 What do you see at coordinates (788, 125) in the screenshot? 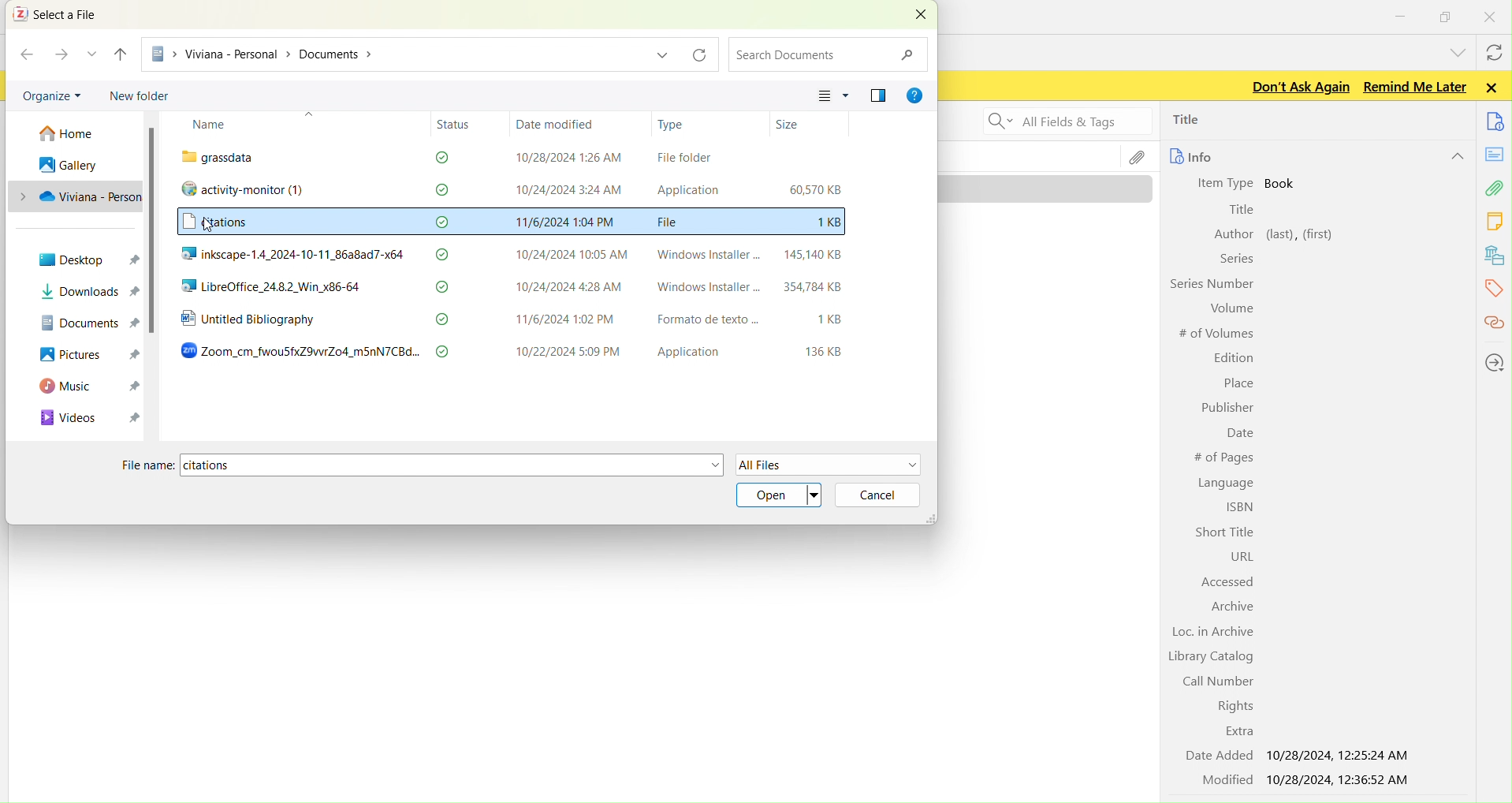
I see `Size` at bounding box center [788, 125].